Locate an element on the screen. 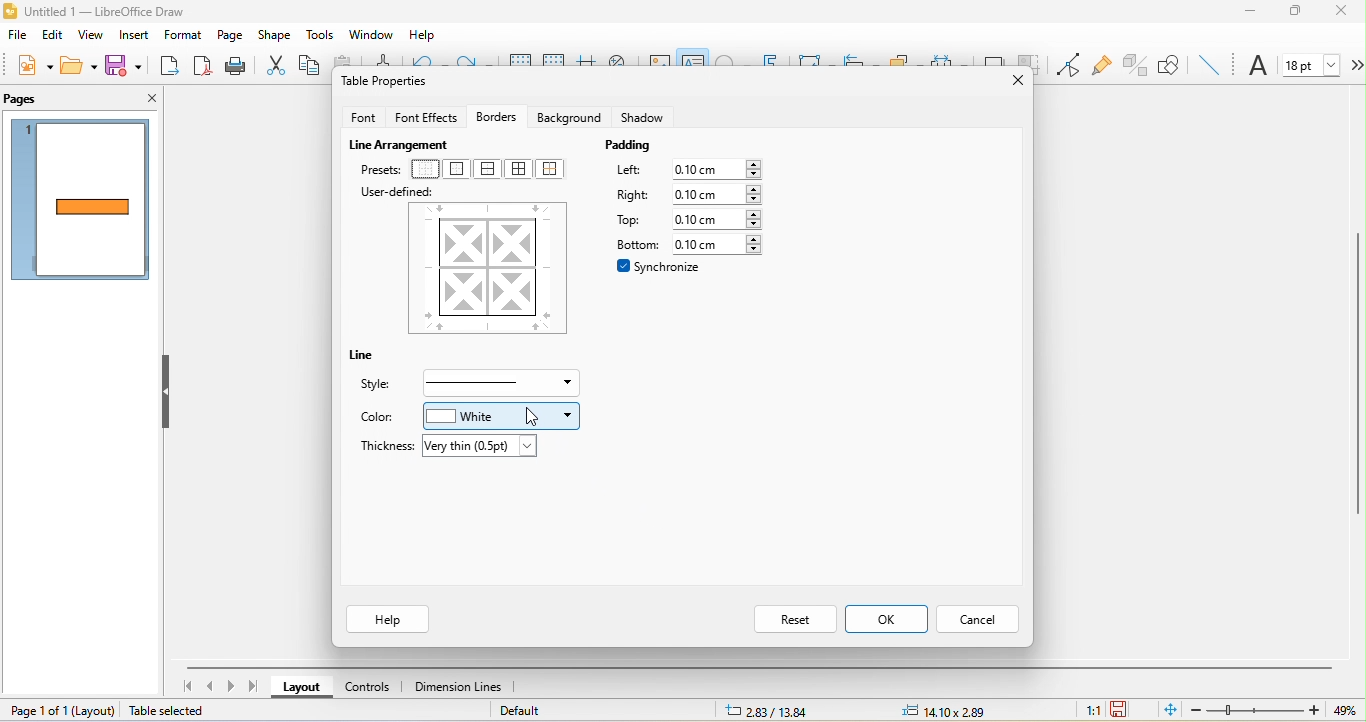 The height and width of the screenshot is (722, 1366). no border is located at coordinates (426, 170).